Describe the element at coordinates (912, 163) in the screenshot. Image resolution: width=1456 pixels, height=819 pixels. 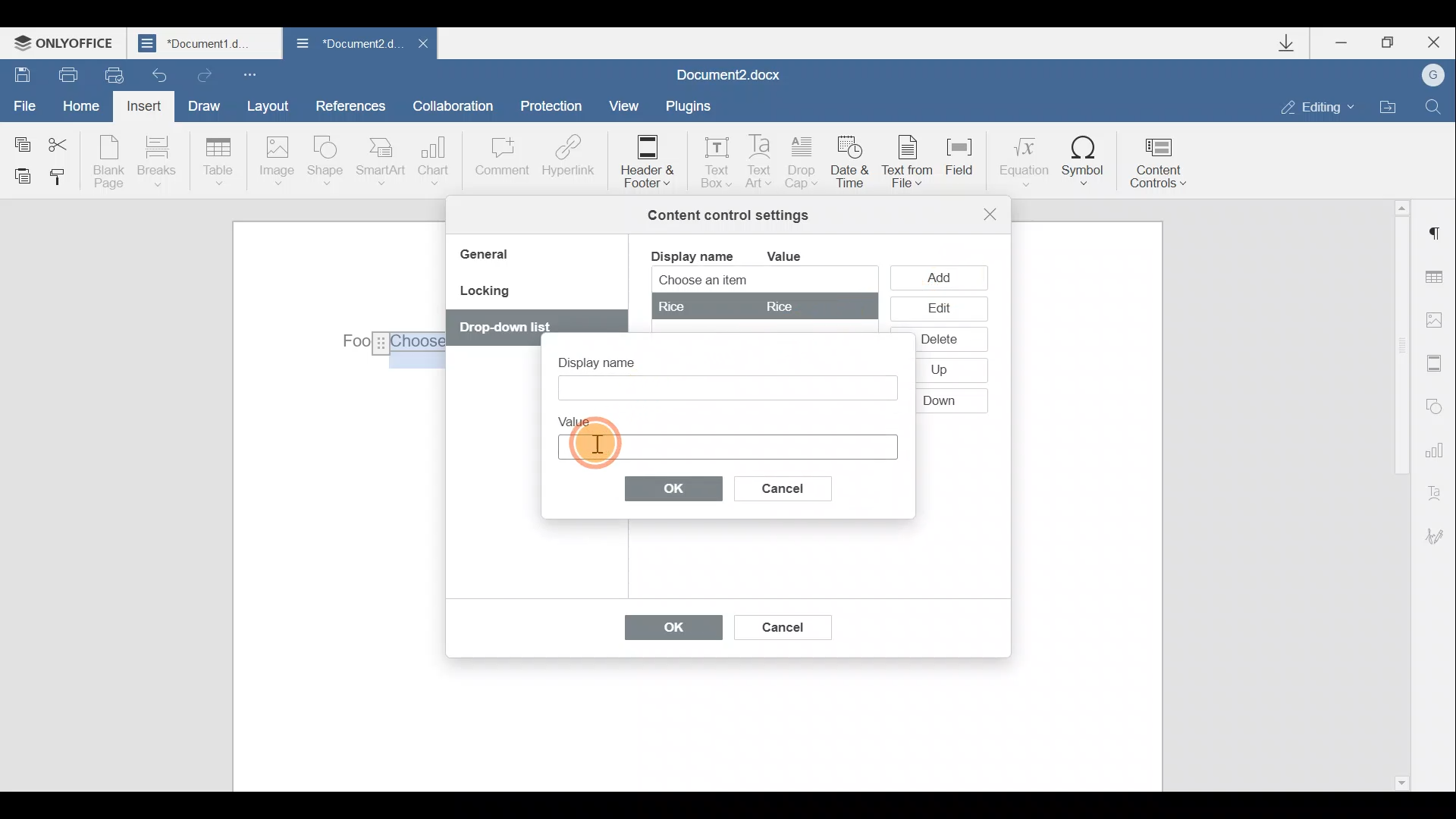
I see `Text from file` at that location.